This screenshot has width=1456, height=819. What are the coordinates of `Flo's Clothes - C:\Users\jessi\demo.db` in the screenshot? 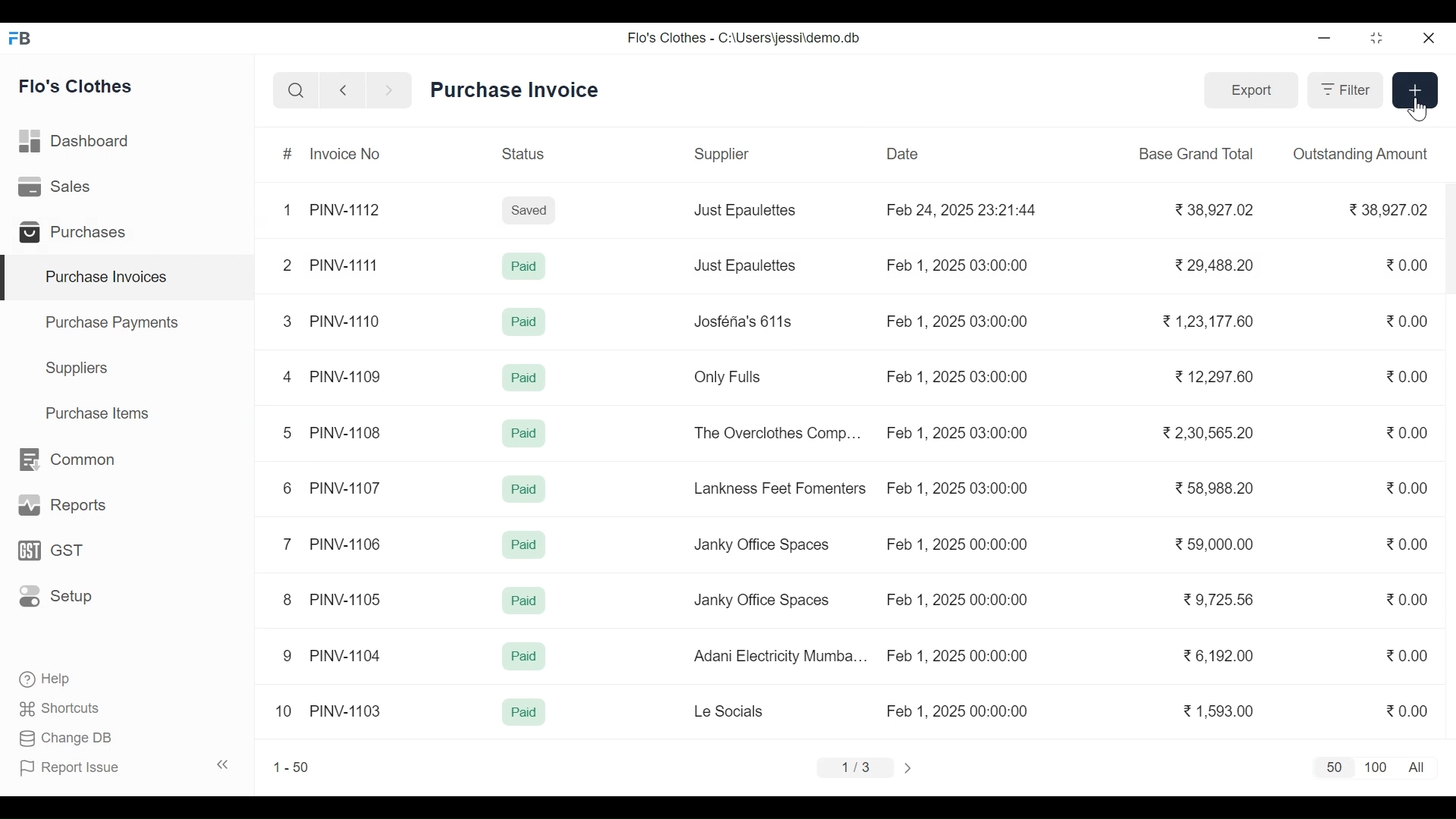 It's located at (746, 36).